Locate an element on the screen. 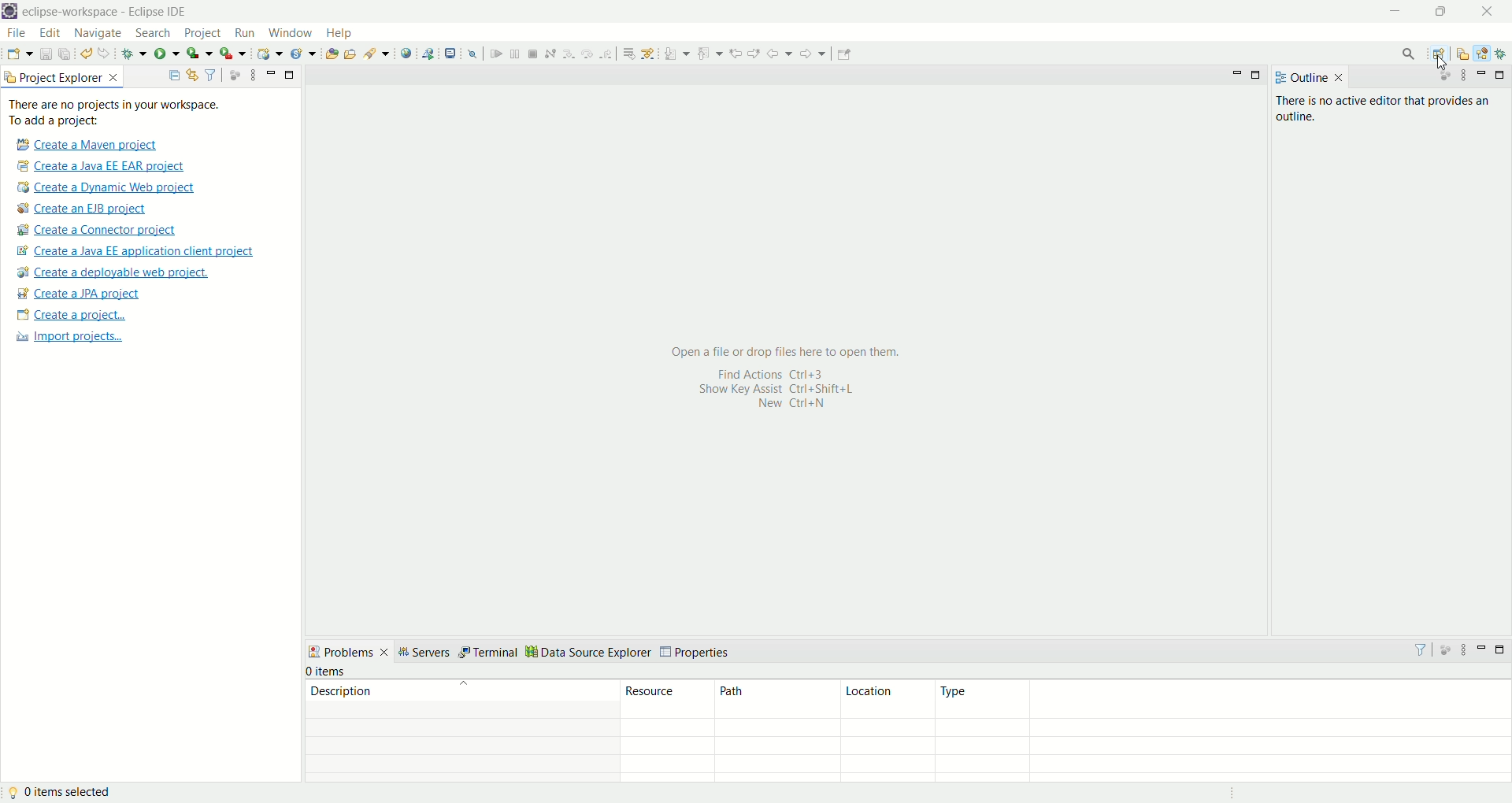 This screenshot has height=803, width=1512. problems is located at coordinates (350, 654).